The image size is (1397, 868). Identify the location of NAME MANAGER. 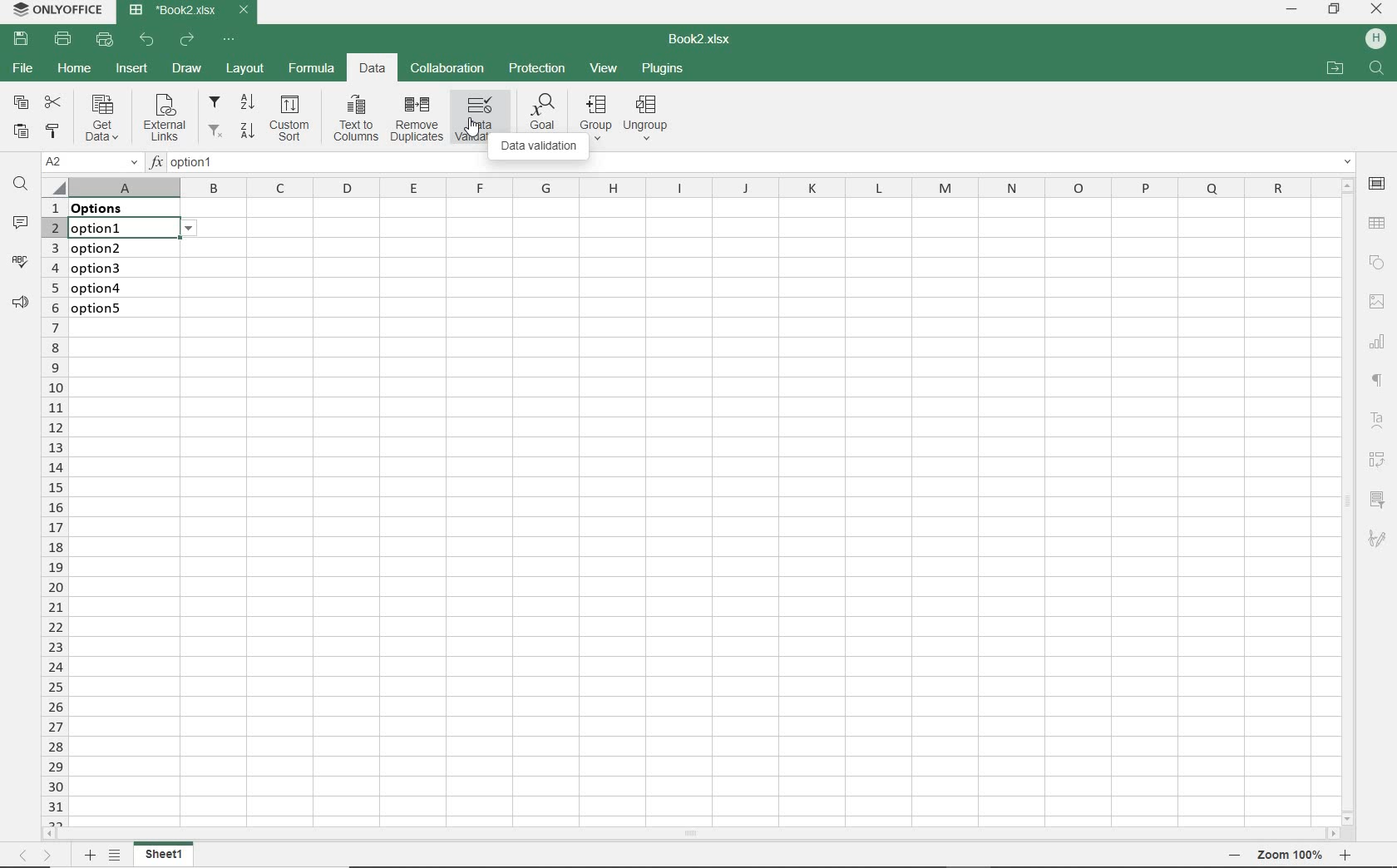
(91, 162).